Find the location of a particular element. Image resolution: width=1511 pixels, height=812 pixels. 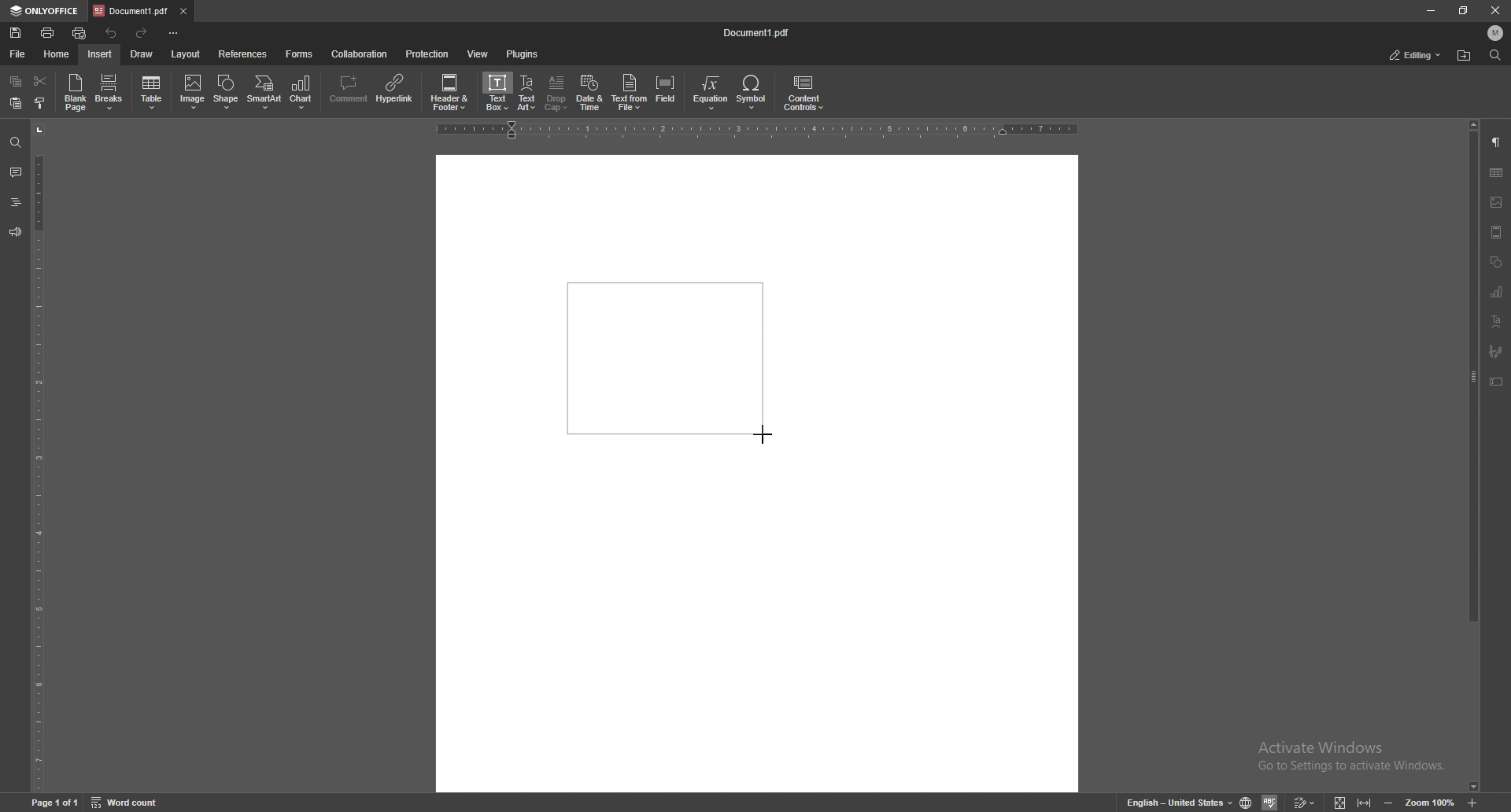

plugins is located at coordinates (523, 54).